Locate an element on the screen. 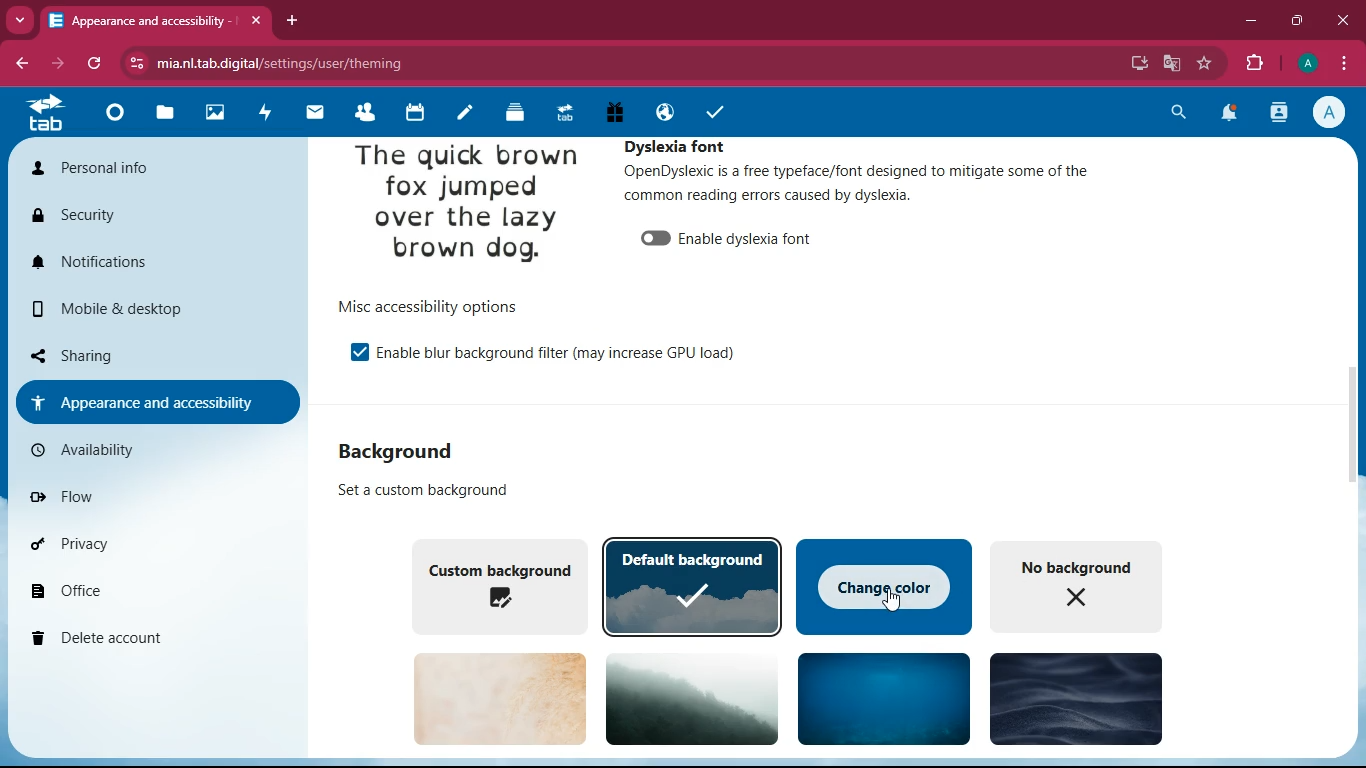 The height and width of the screenshot is (768, 1366). cursor is located at coordinates (896, 600).